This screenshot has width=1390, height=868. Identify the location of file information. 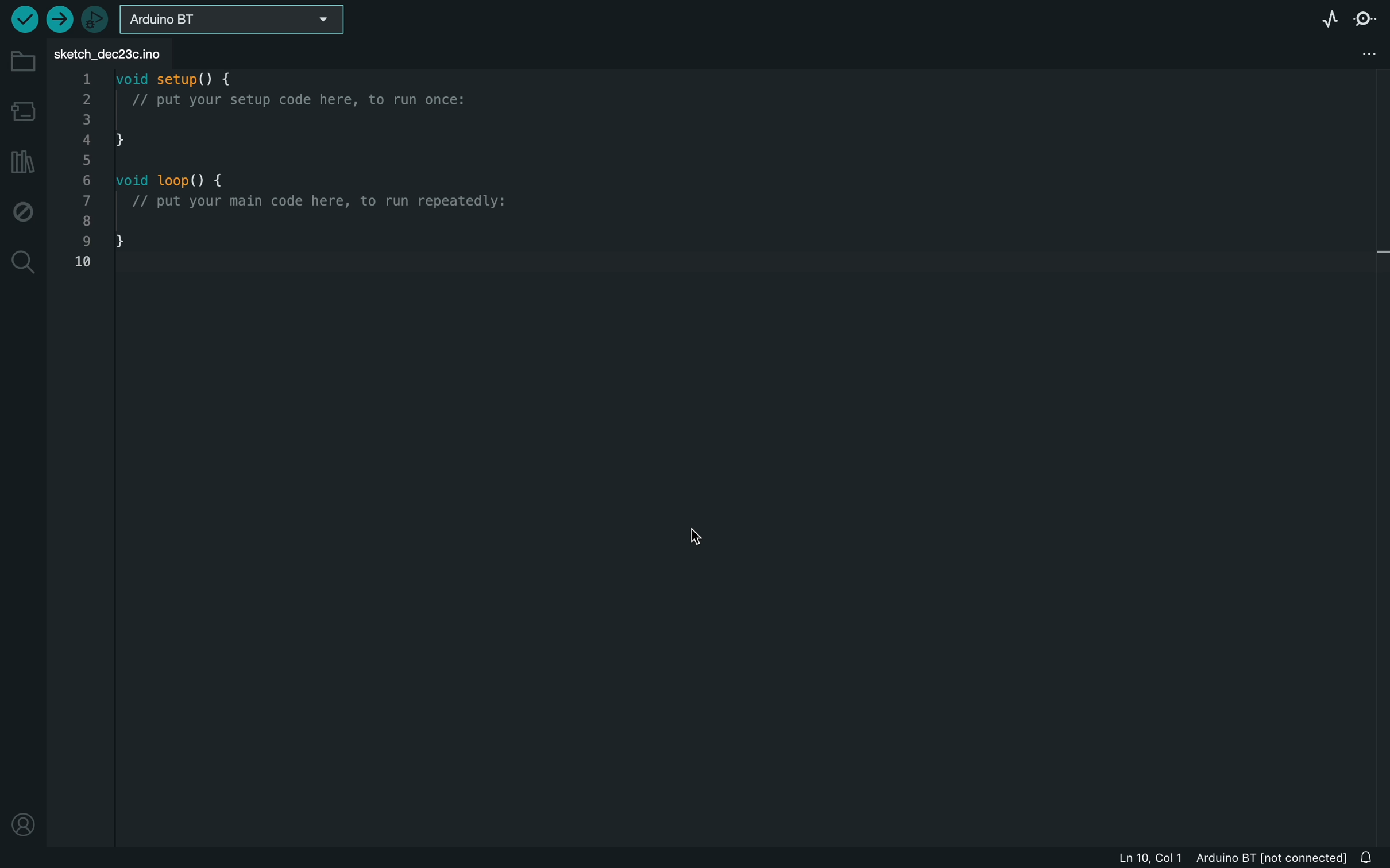
(1226, 856).